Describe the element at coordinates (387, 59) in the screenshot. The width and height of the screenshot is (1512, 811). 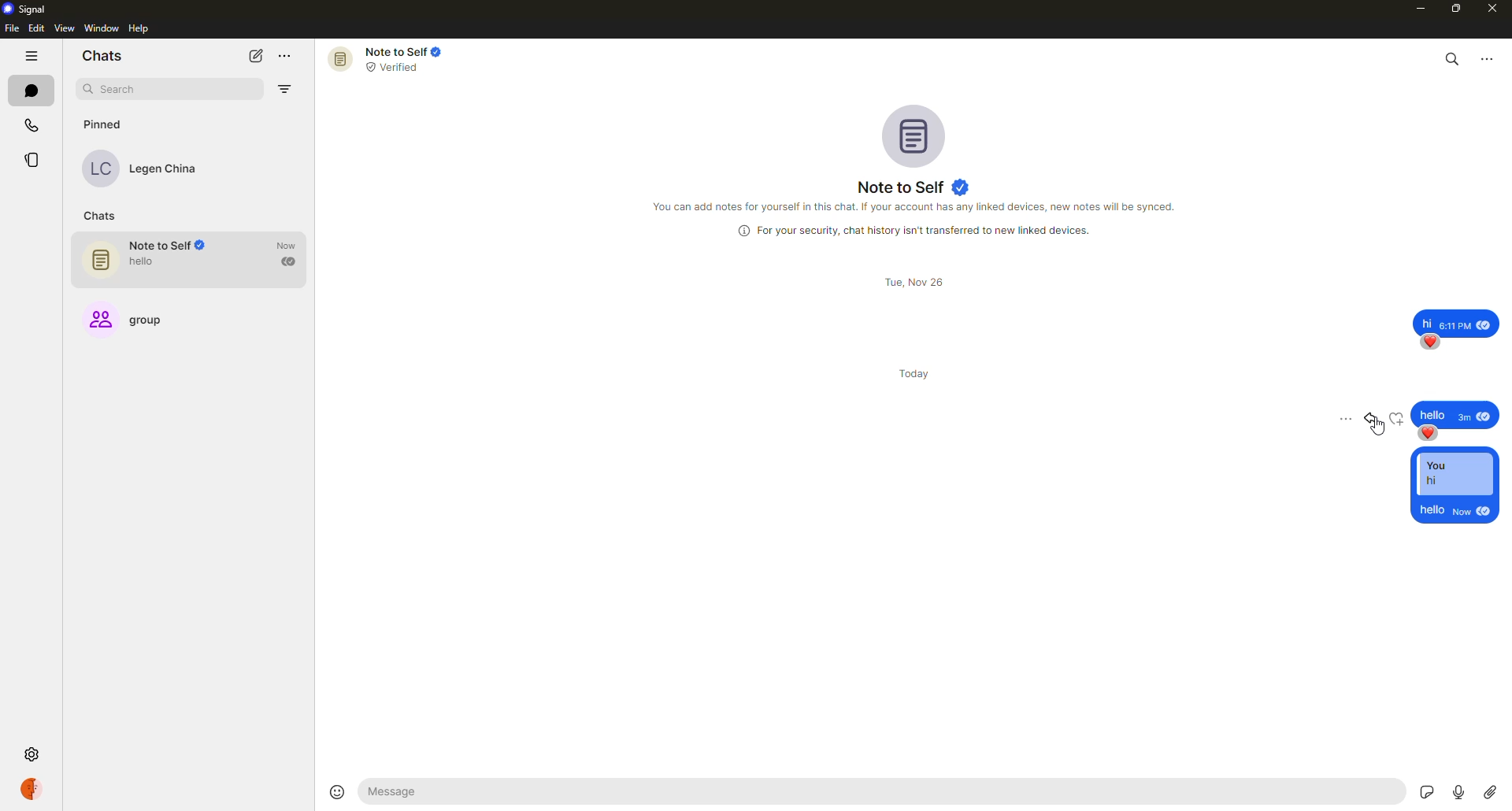
I see `note to self` at that location.